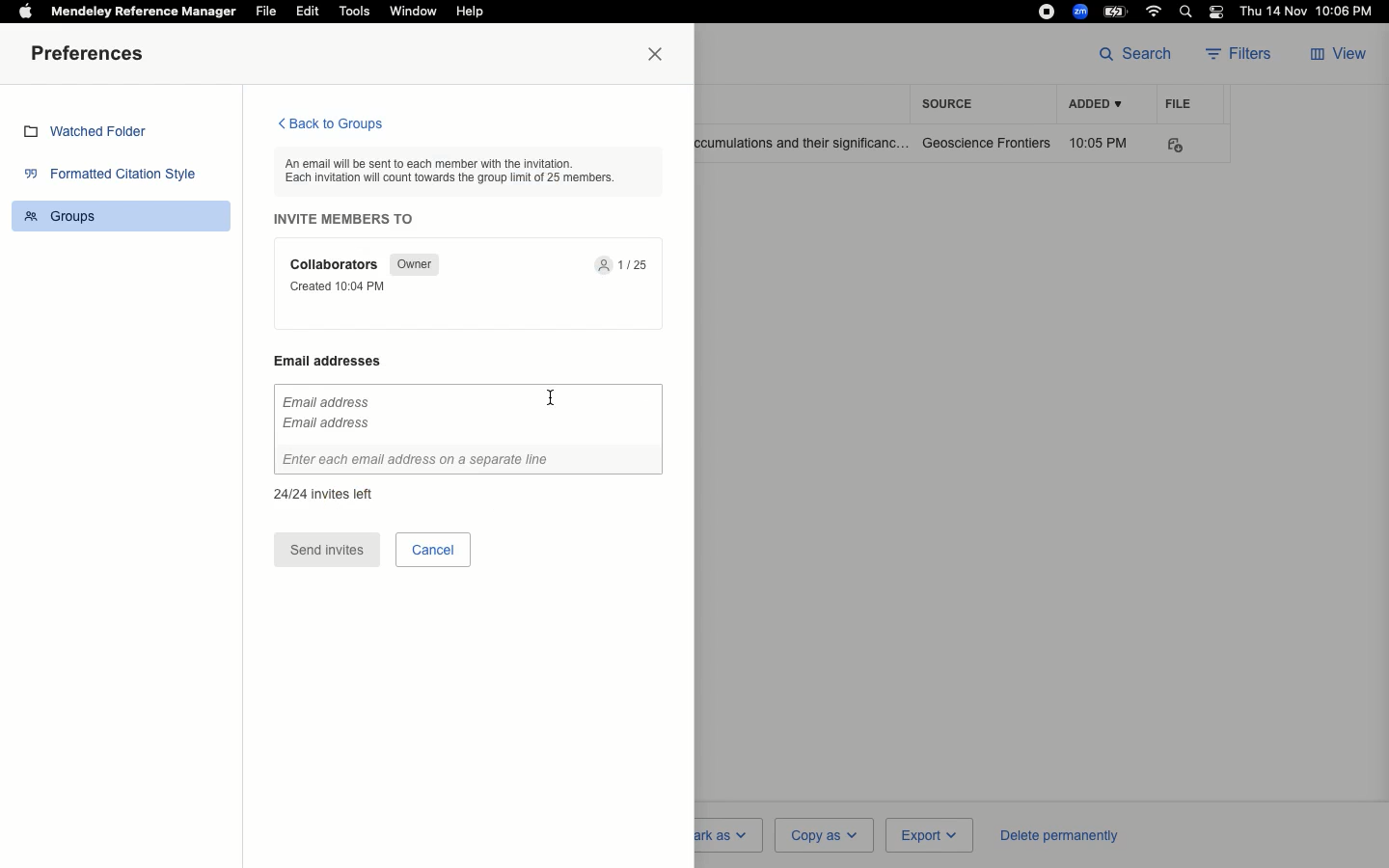 The height and width of the screenshot is (868, 1389). Describe the element at coordinates (823, 834) in the screenshot. I see `Copy as` at that location.